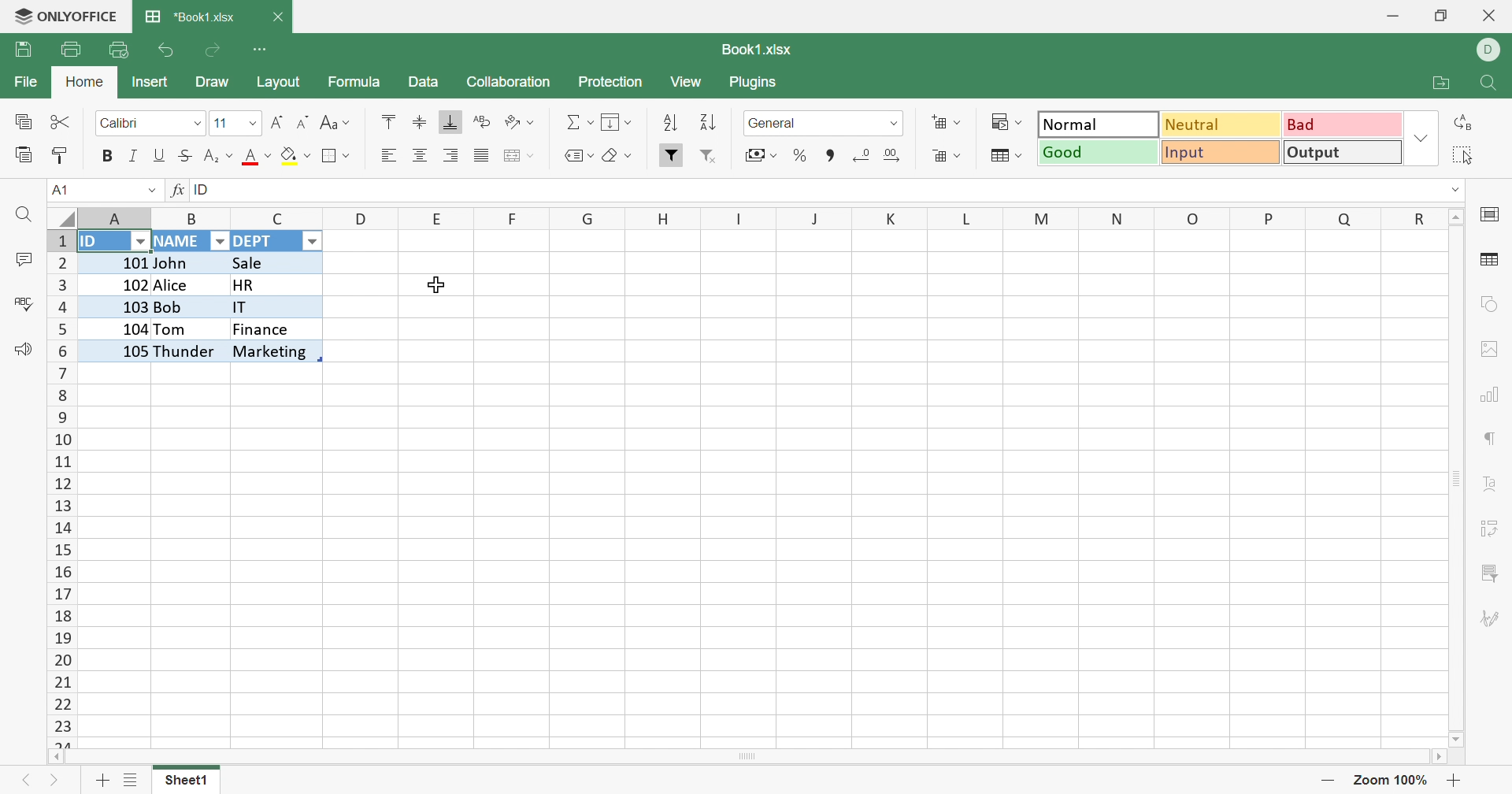  What do you see at coordinates (1490, 260) in the screenshot?
I see `table settings` at bounding box center [1490, 260].